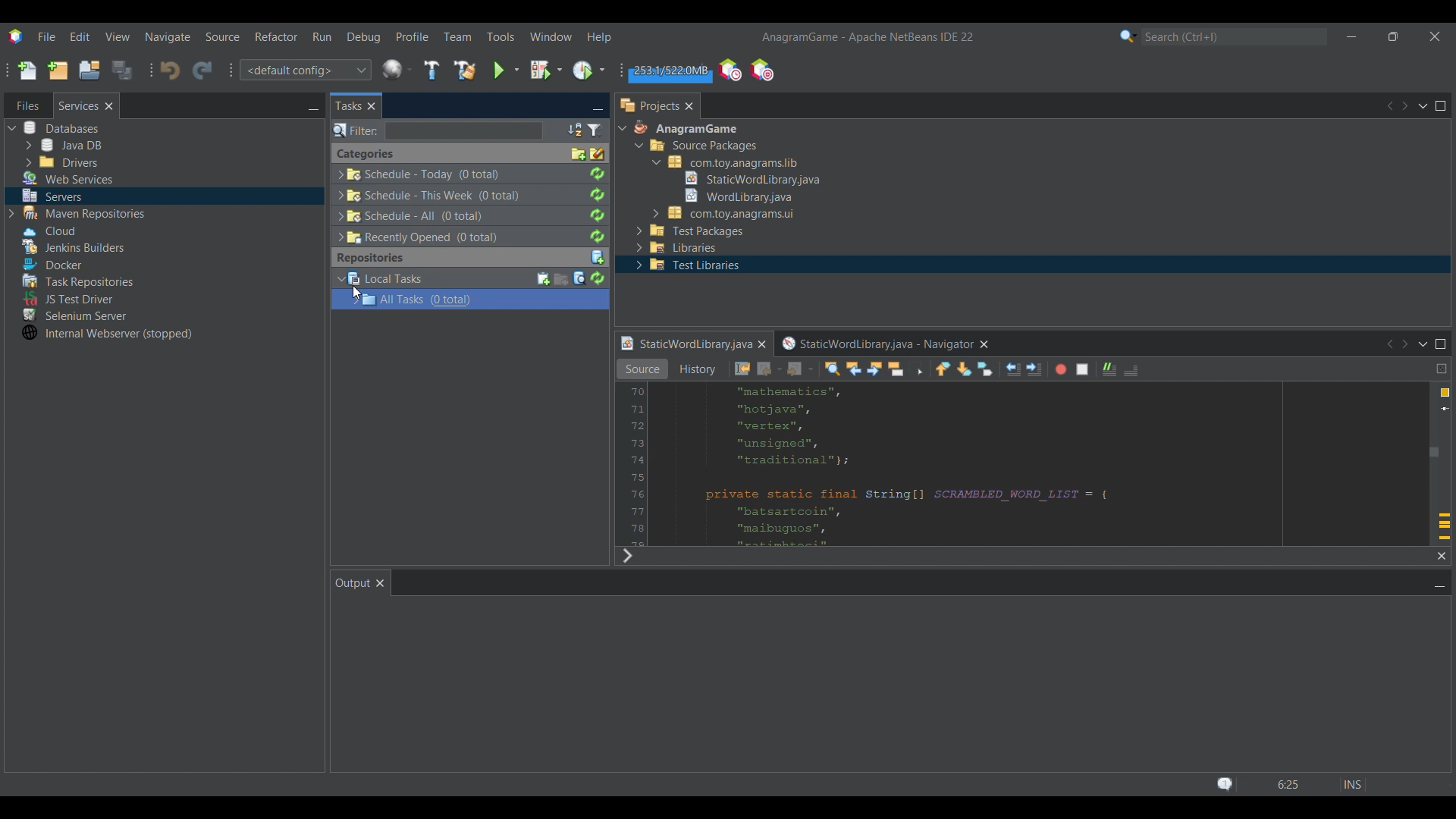 This screenshot has height=819, width=1456. What do you see at coordinates (689, 266) in the screenshot?
I see `` at bounding box center [689, 266].